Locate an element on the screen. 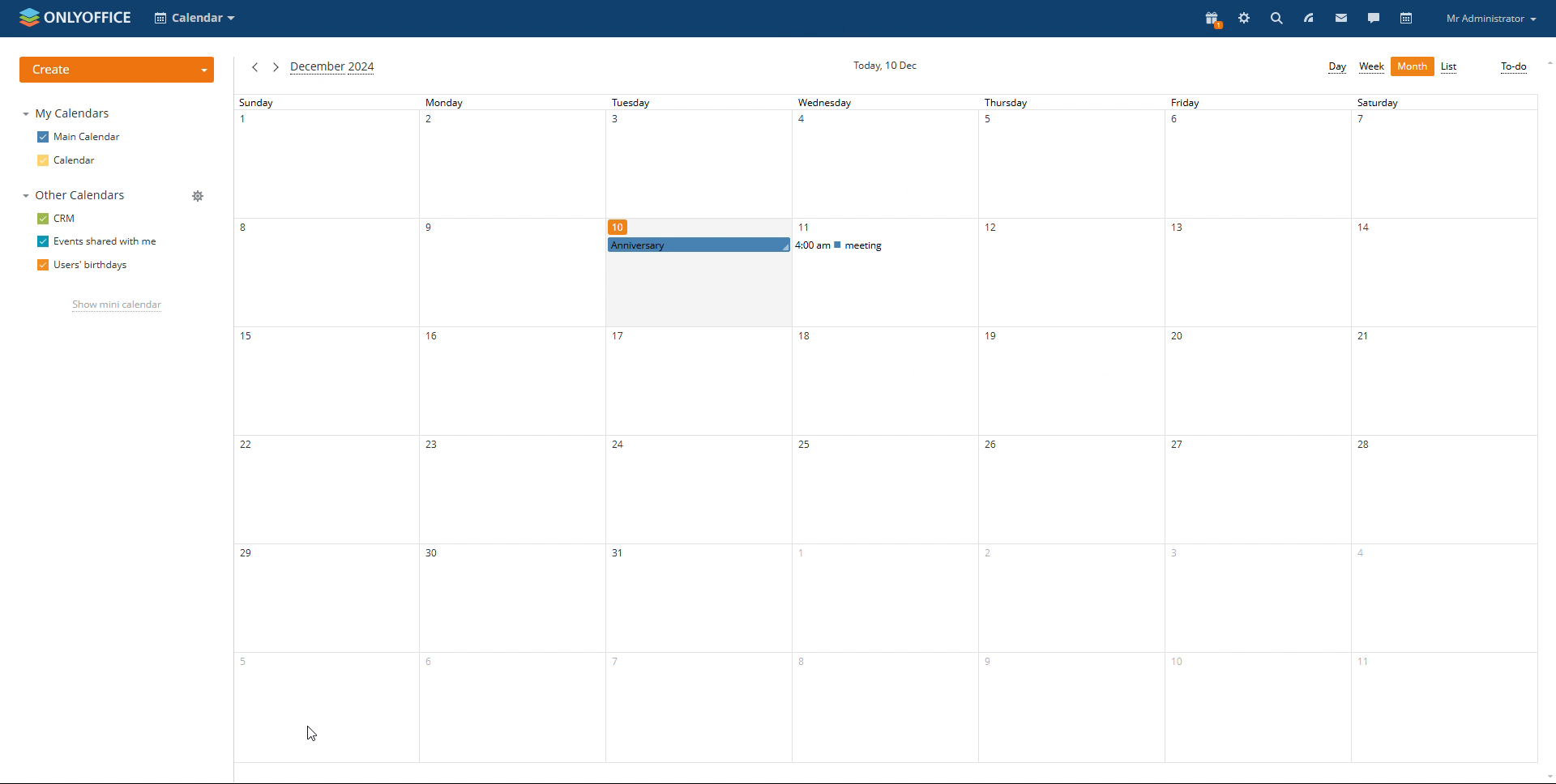 The width and height of the screenshot is (1556, 784). crm is located at coordinates (58, 218).